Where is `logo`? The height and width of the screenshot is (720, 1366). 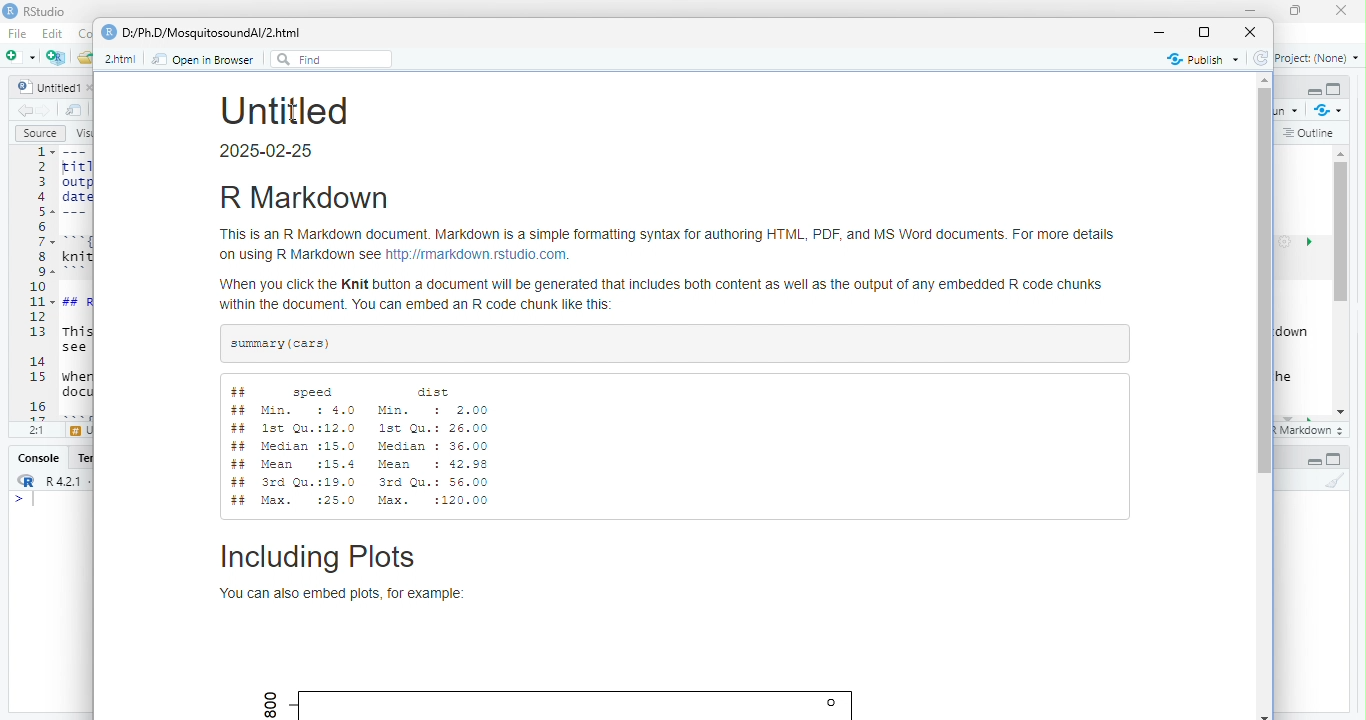
logo is located at coordinates (28, 480).